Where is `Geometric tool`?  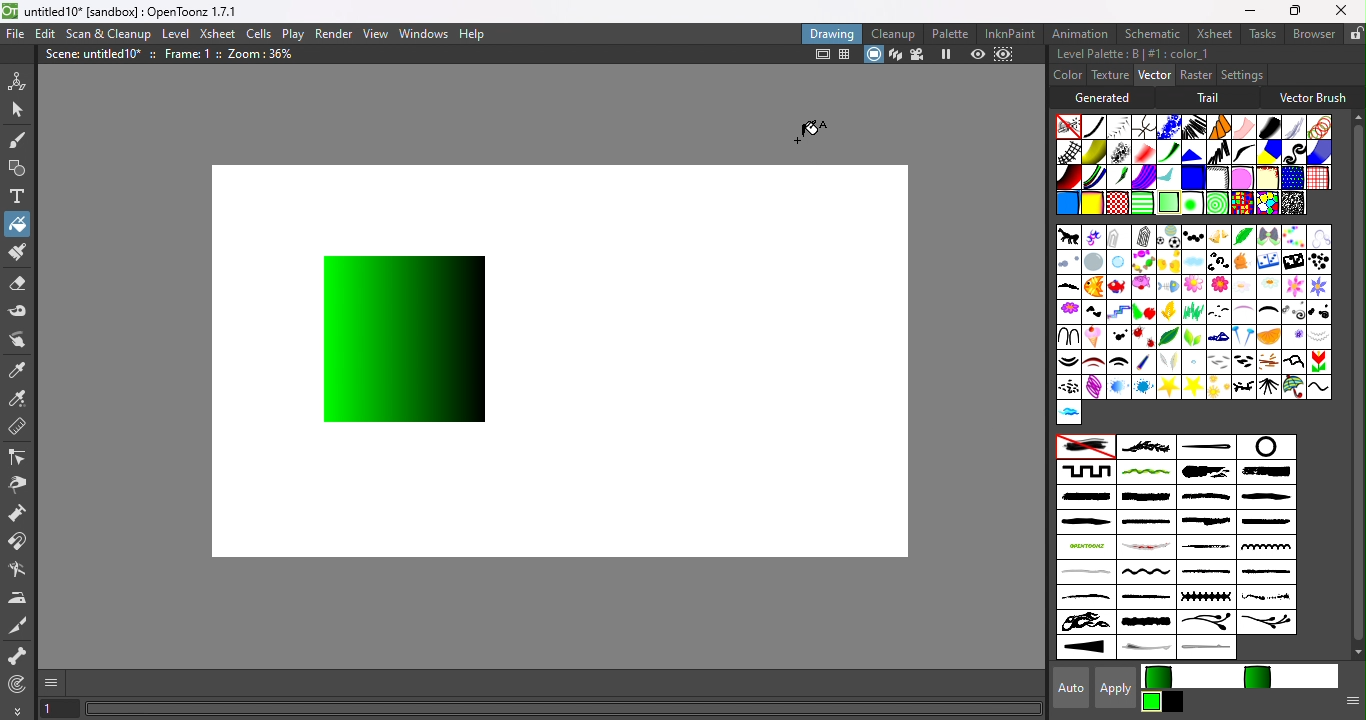
Geometric tool is located at coordinates (15, 169).